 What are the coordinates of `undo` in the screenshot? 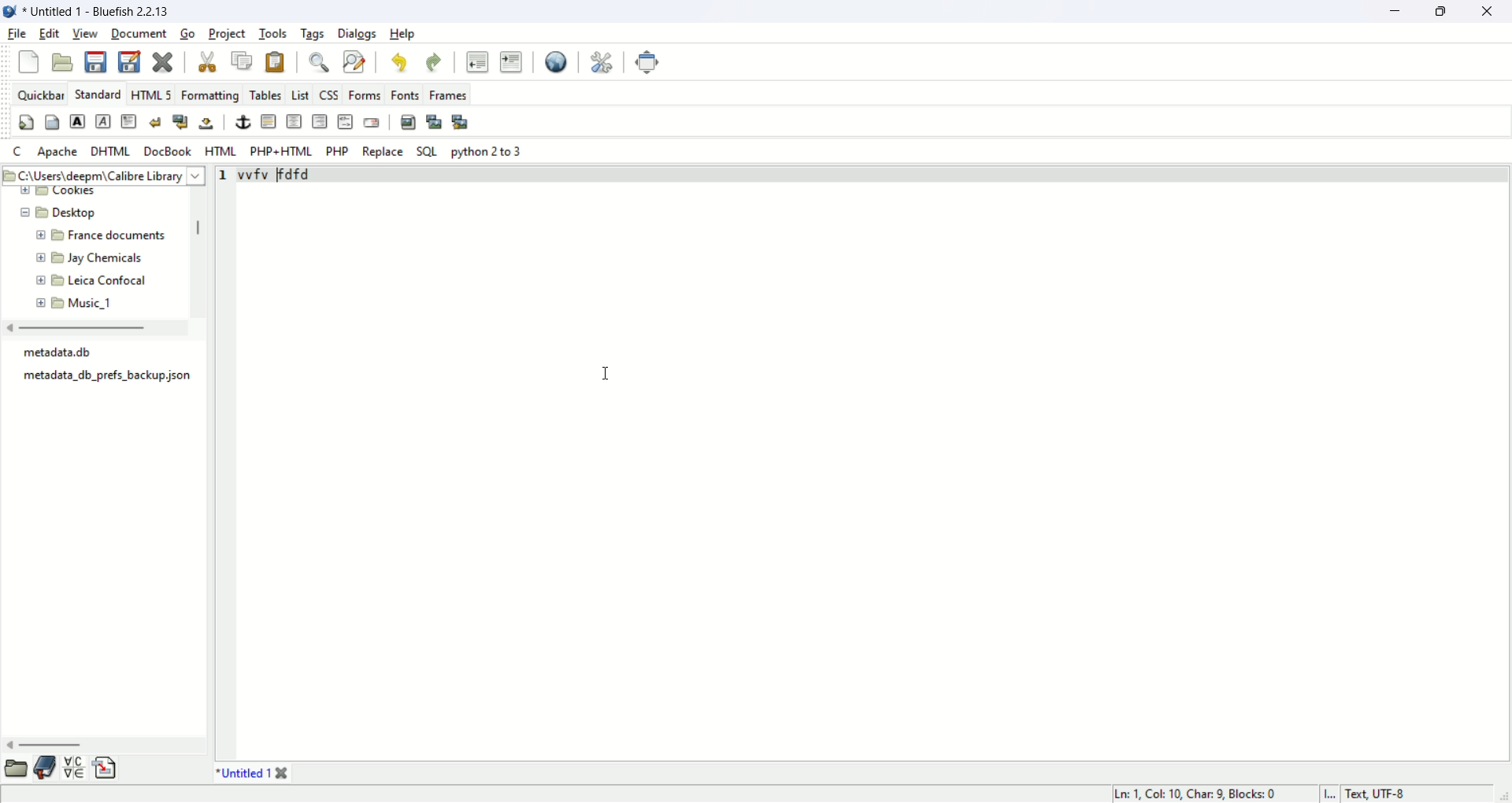 It's located at (398, 61).